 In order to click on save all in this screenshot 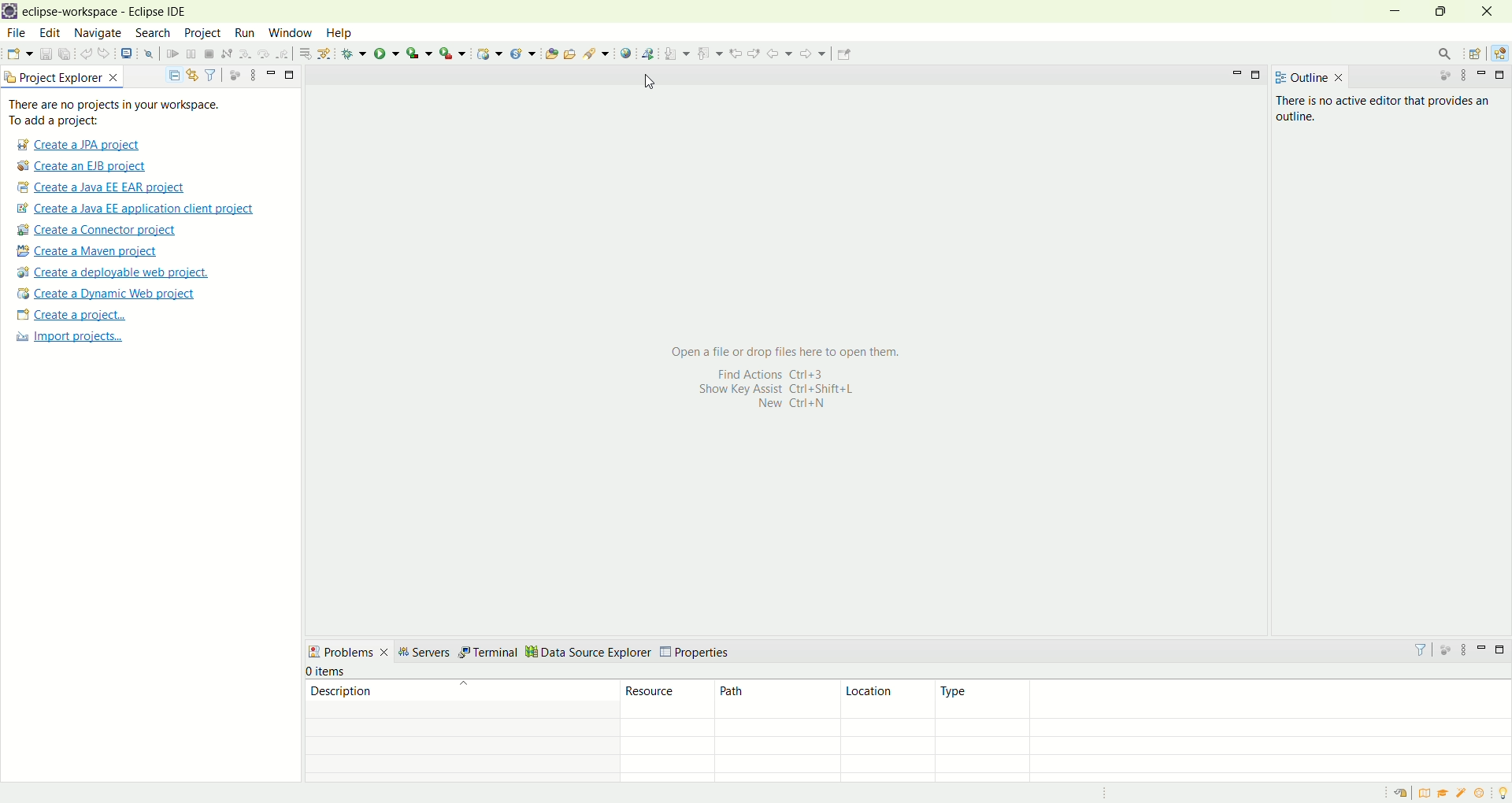, I will do `click(65, 54)`.